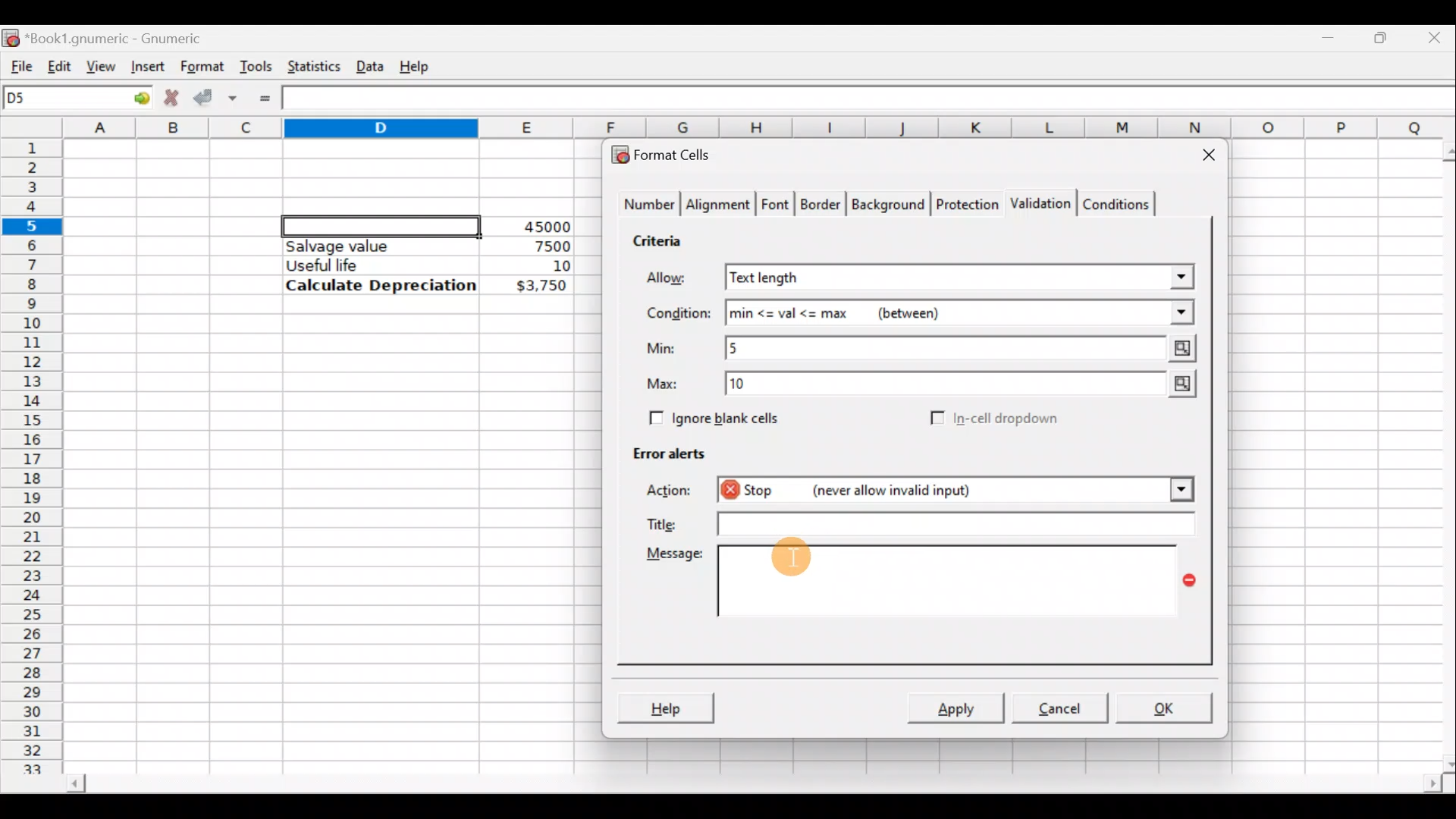 The width and height of the screenshot is (1456, 819). What do you see at coordinates (17, 63) in the screenshot?
I see `File` at bounding box center [17, 63].